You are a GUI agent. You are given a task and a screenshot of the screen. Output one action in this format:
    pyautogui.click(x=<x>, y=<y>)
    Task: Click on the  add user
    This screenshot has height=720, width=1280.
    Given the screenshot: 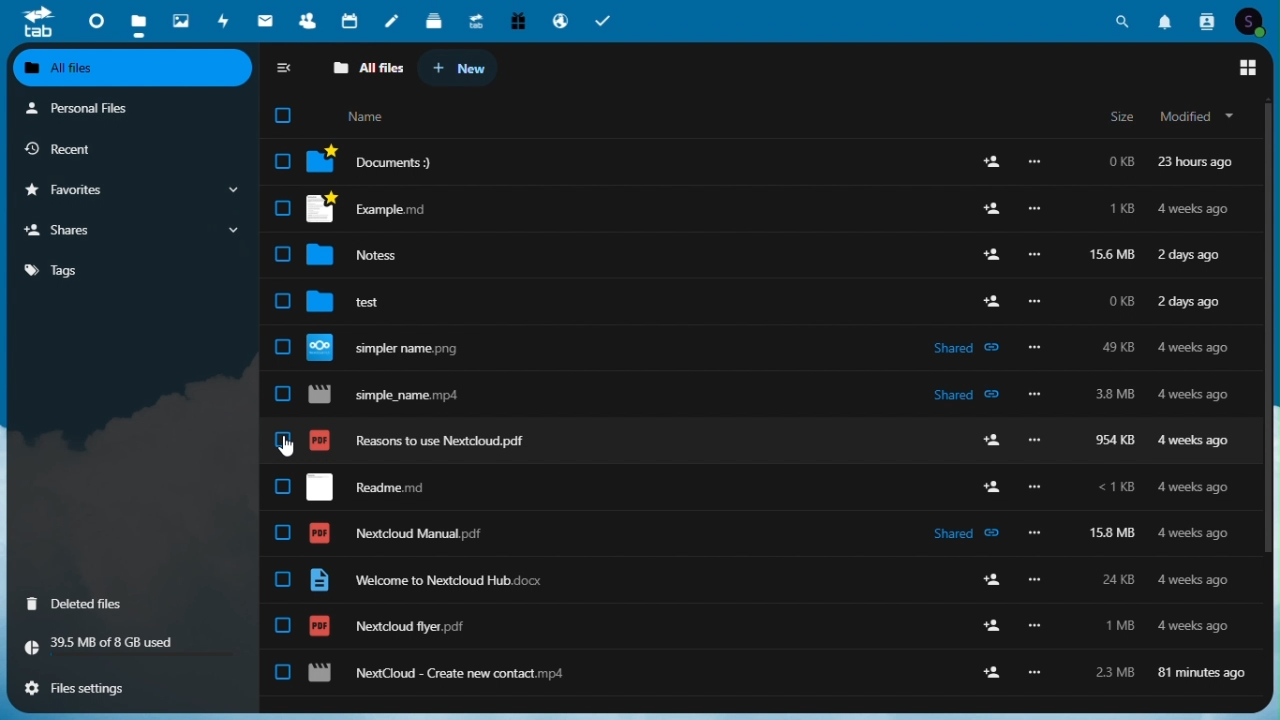 What is the action you would take?
    pyautogui.click(x=989, y=256)
    